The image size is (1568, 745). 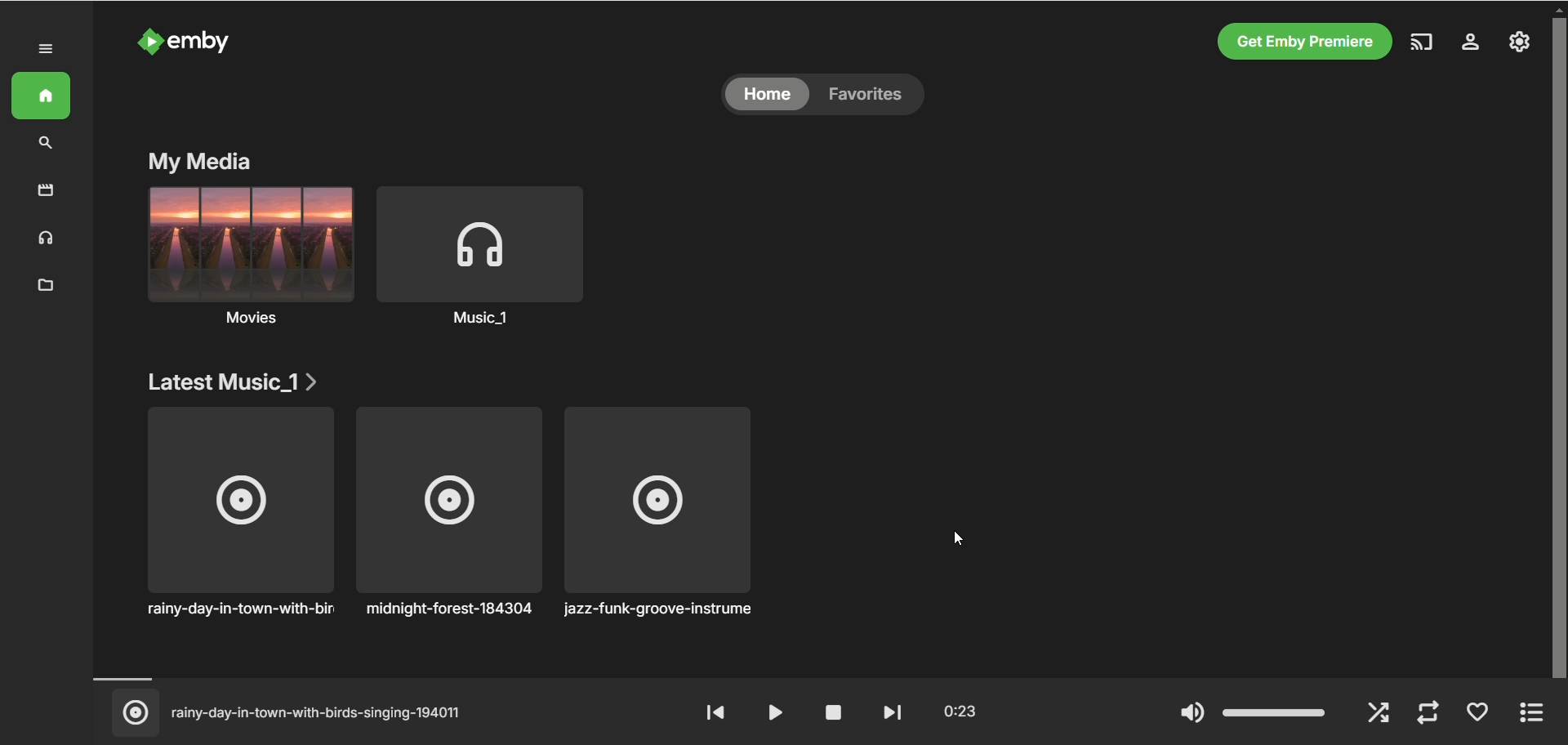 I want to click on music, so click(x=483, y=257).